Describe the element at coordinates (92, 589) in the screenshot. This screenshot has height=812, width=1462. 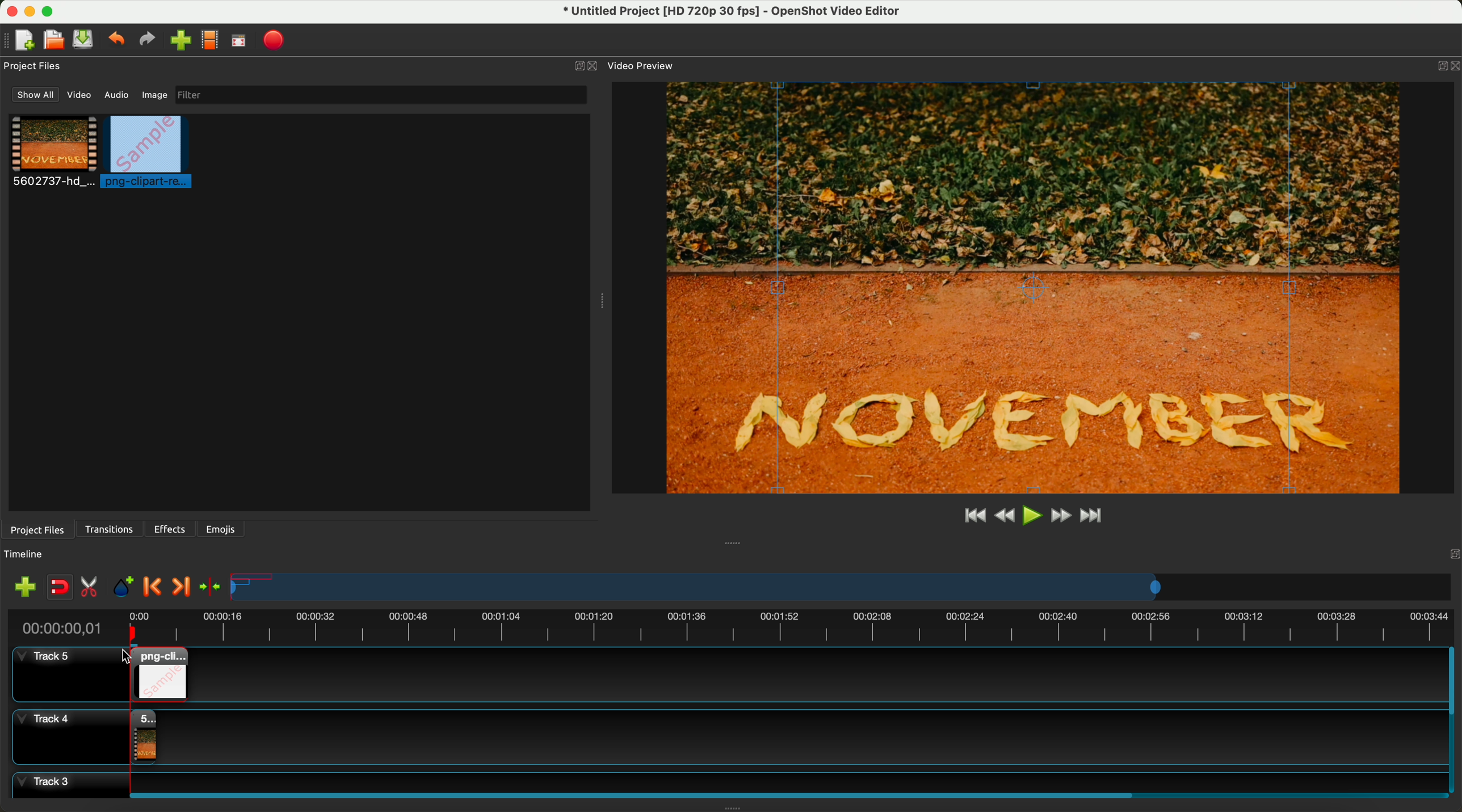
I see `enable razor` at that location.